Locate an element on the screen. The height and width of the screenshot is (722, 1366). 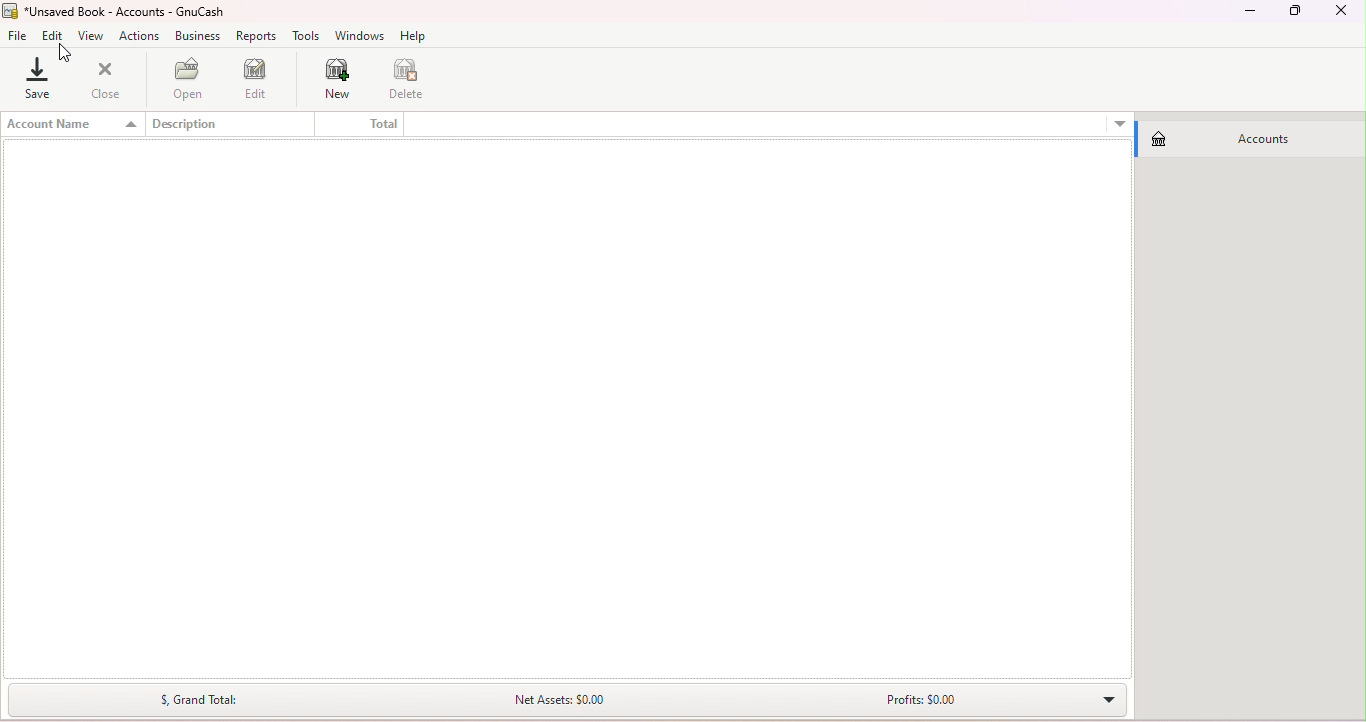
Save is located at coordinates (41, 81).